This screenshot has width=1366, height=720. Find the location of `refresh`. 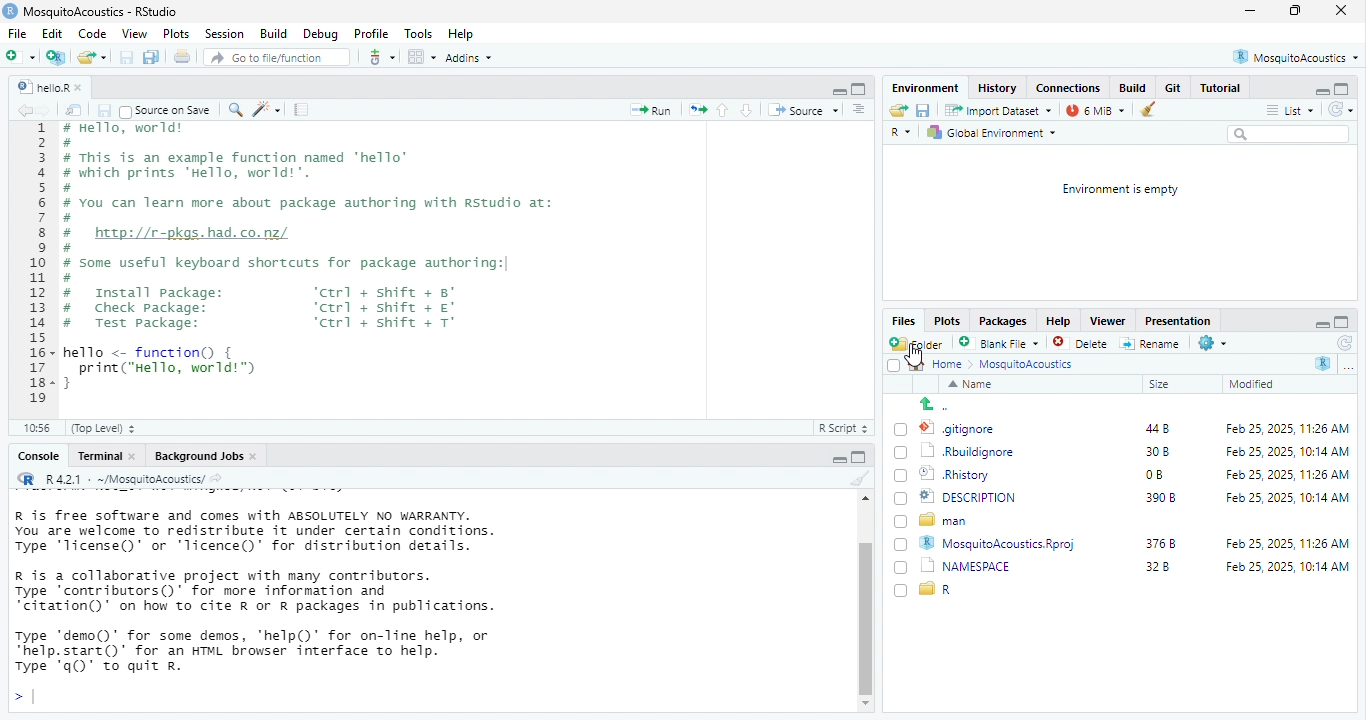

refresh is located at coordinates (1340, 343).